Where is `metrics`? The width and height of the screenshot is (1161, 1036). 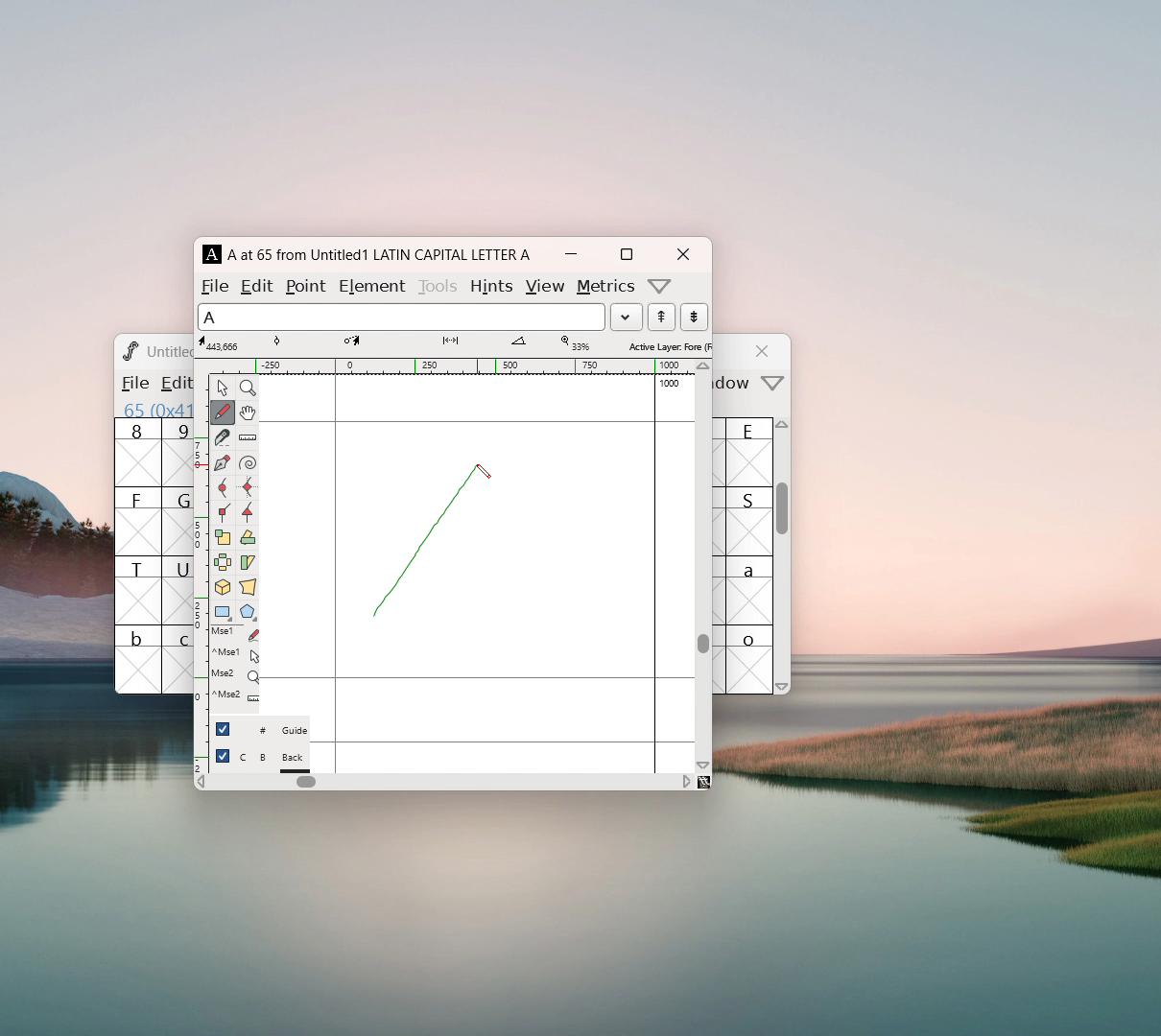 metrics is located at coordinates (606, 287).